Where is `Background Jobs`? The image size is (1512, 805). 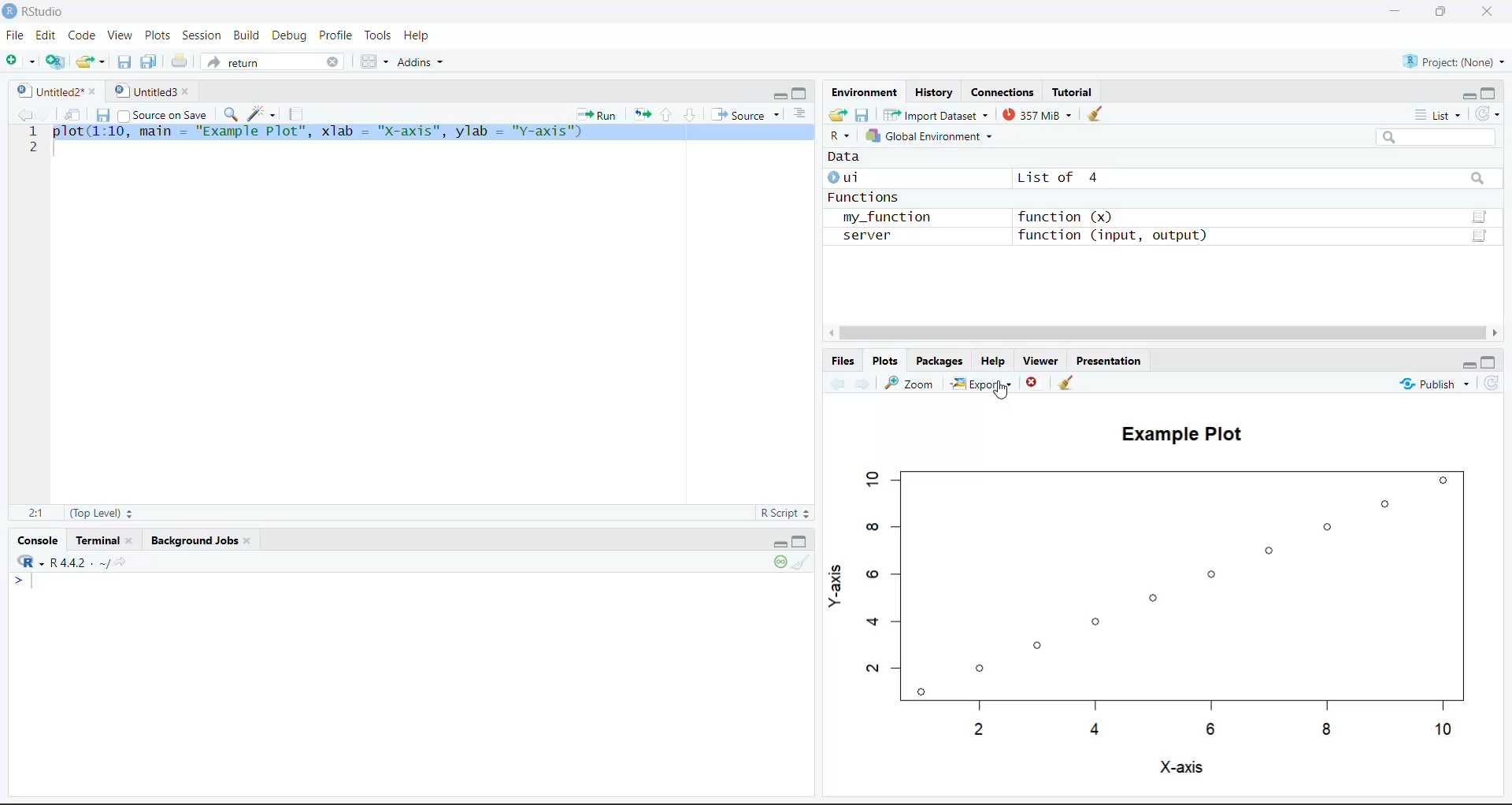 Background Jobs is located at coordinates (197, 540).